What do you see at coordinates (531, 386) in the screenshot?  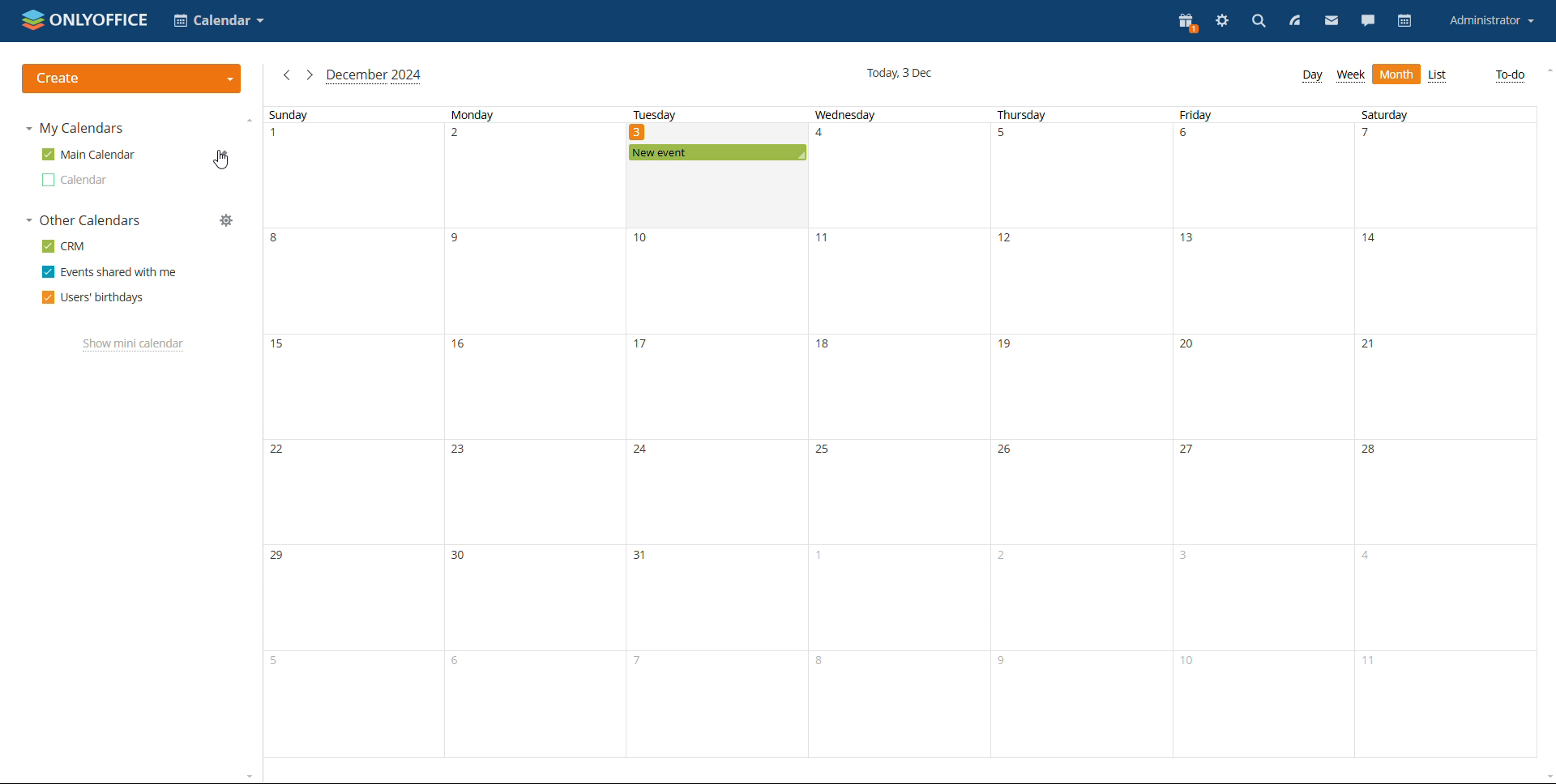 I see `data` at bounding box center [531, 386].